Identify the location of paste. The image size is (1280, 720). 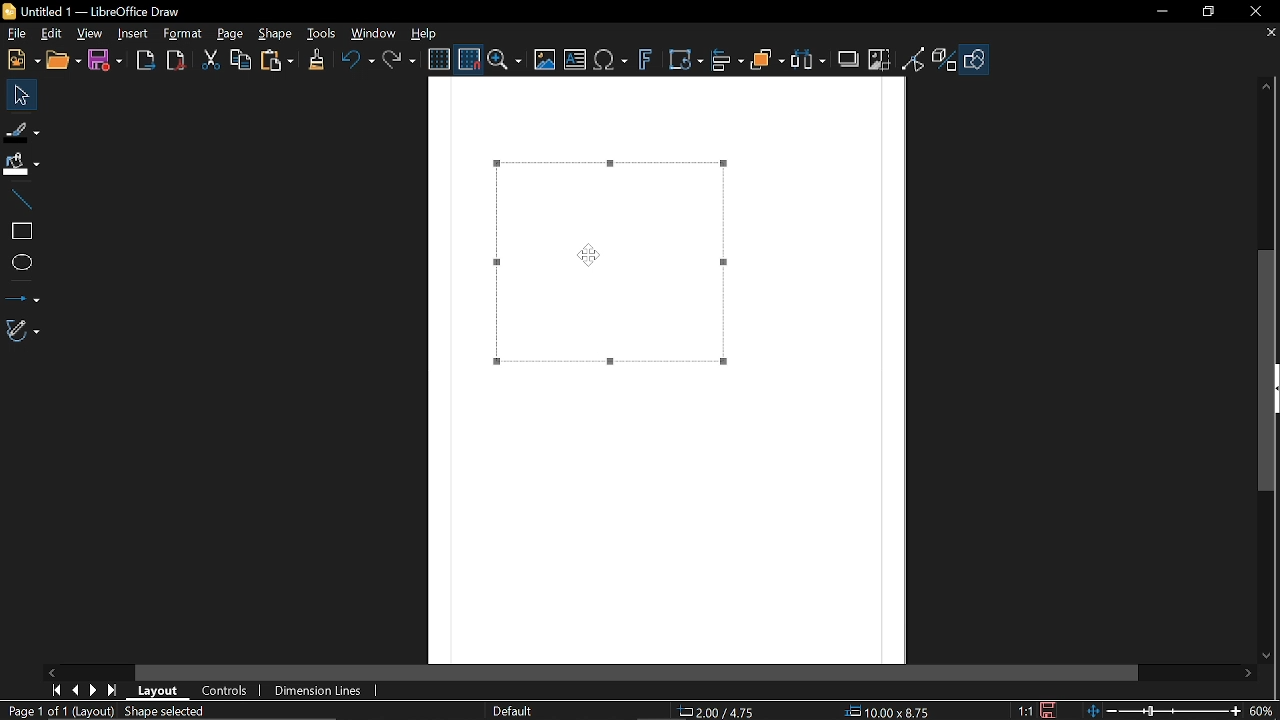
(278, 60).